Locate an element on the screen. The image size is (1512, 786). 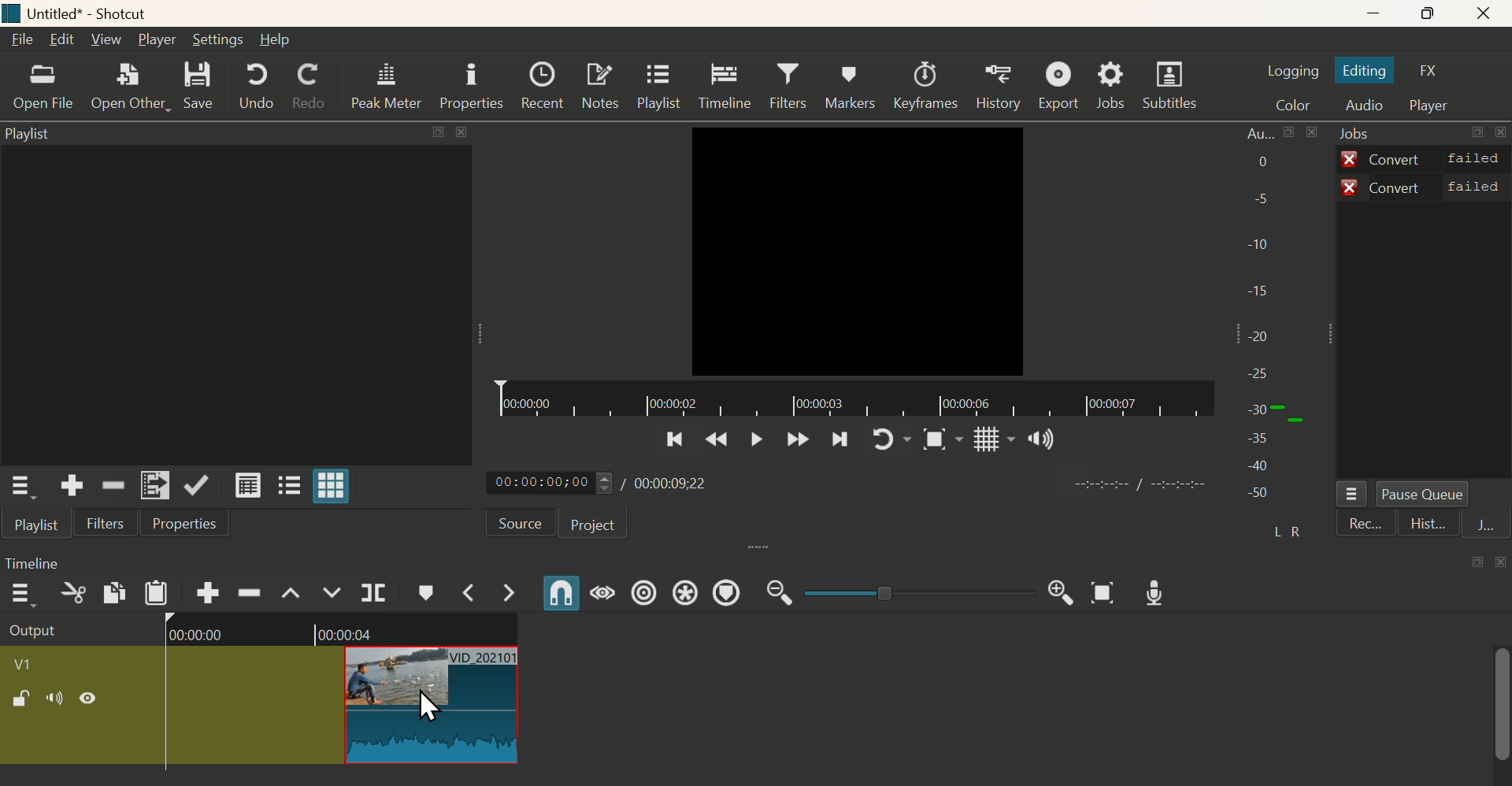
 is located at coordinates (600, 525).